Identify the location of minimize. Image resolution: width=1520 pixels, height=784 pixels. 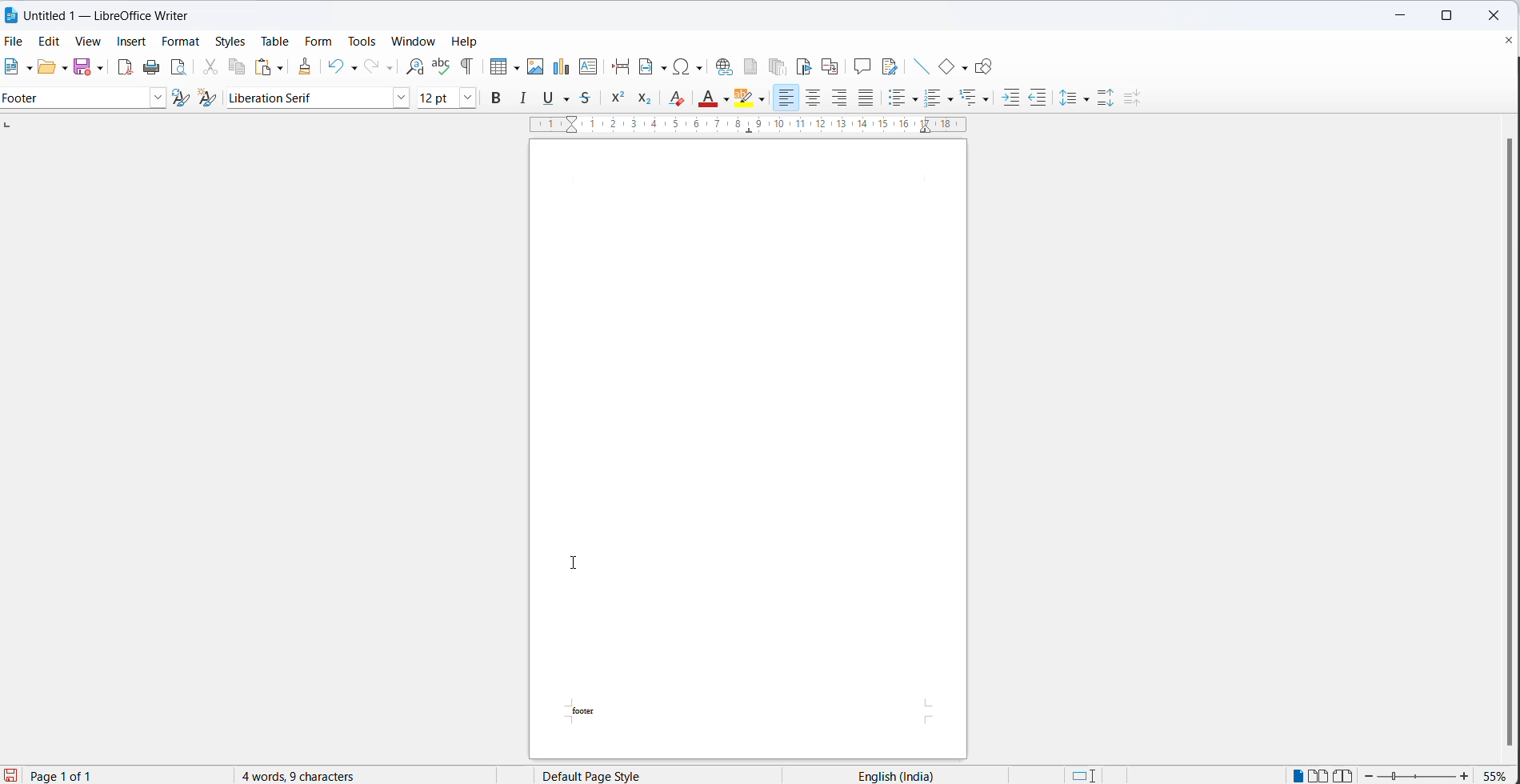
(1401, 16).